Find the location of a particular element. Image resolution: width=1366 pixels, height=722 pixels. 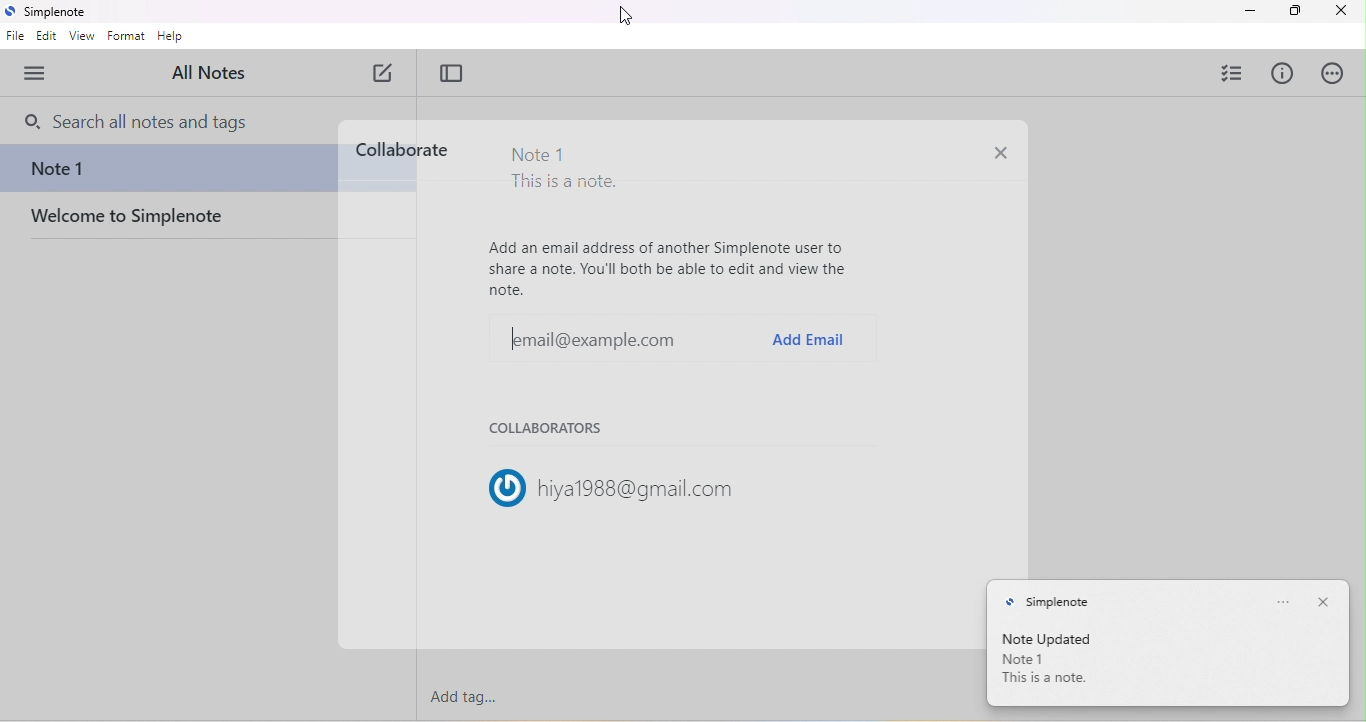

email @example.com is located at coordinates (584, 339).